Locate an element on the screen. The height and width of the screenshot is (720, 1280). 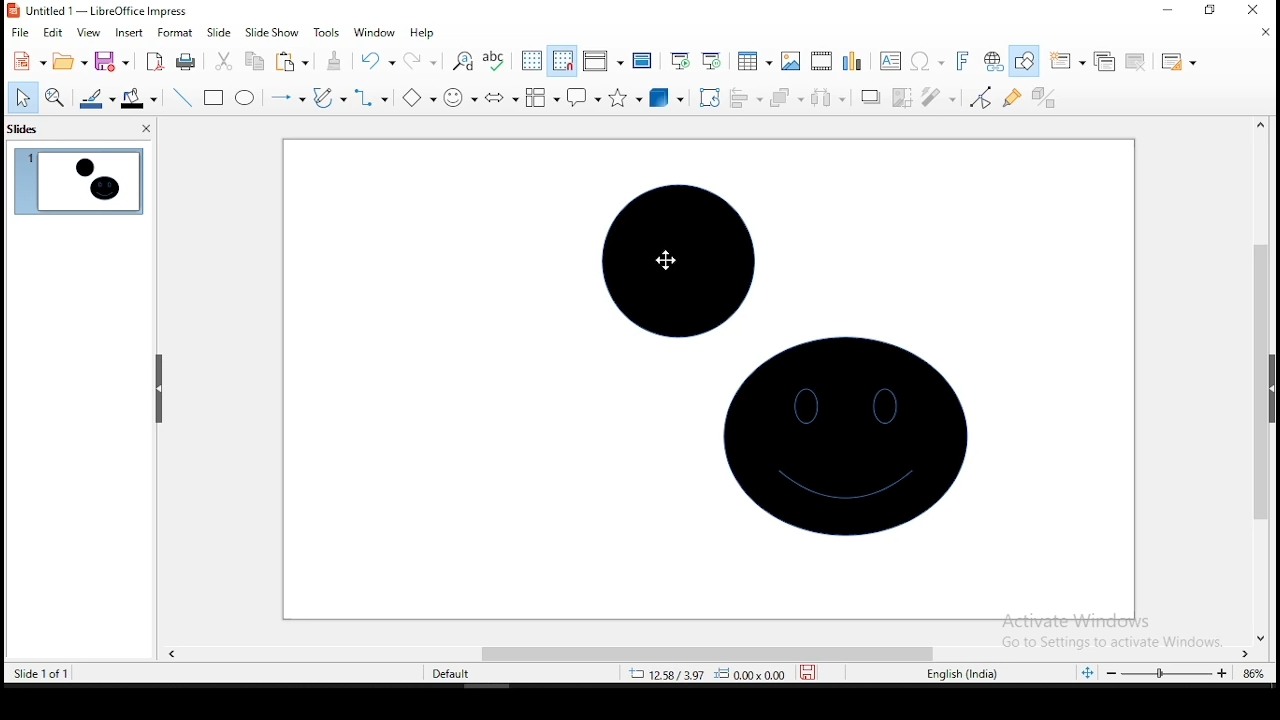
english (india) is located at coordinates (967, 674).